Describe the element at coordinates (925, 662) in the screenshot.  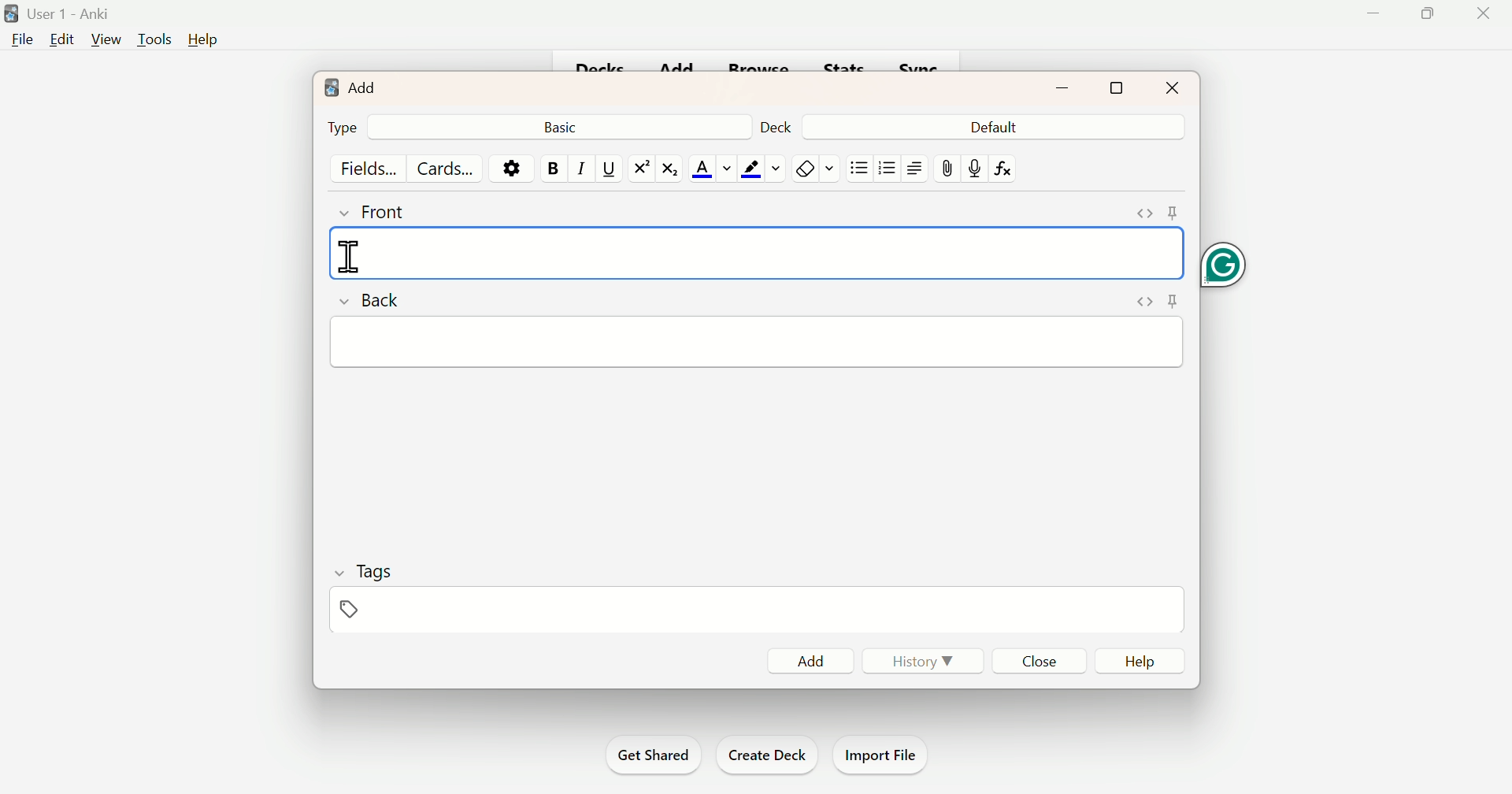
I see `History` at that location.